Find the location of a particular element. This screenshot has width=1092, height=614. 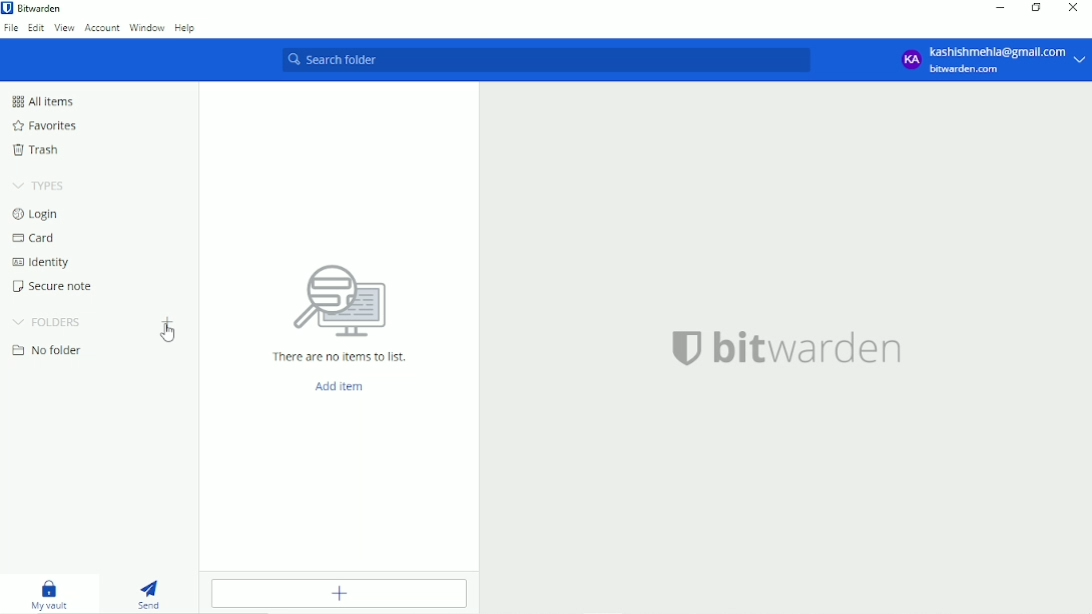

Close is located at coordinates (1073, 8).